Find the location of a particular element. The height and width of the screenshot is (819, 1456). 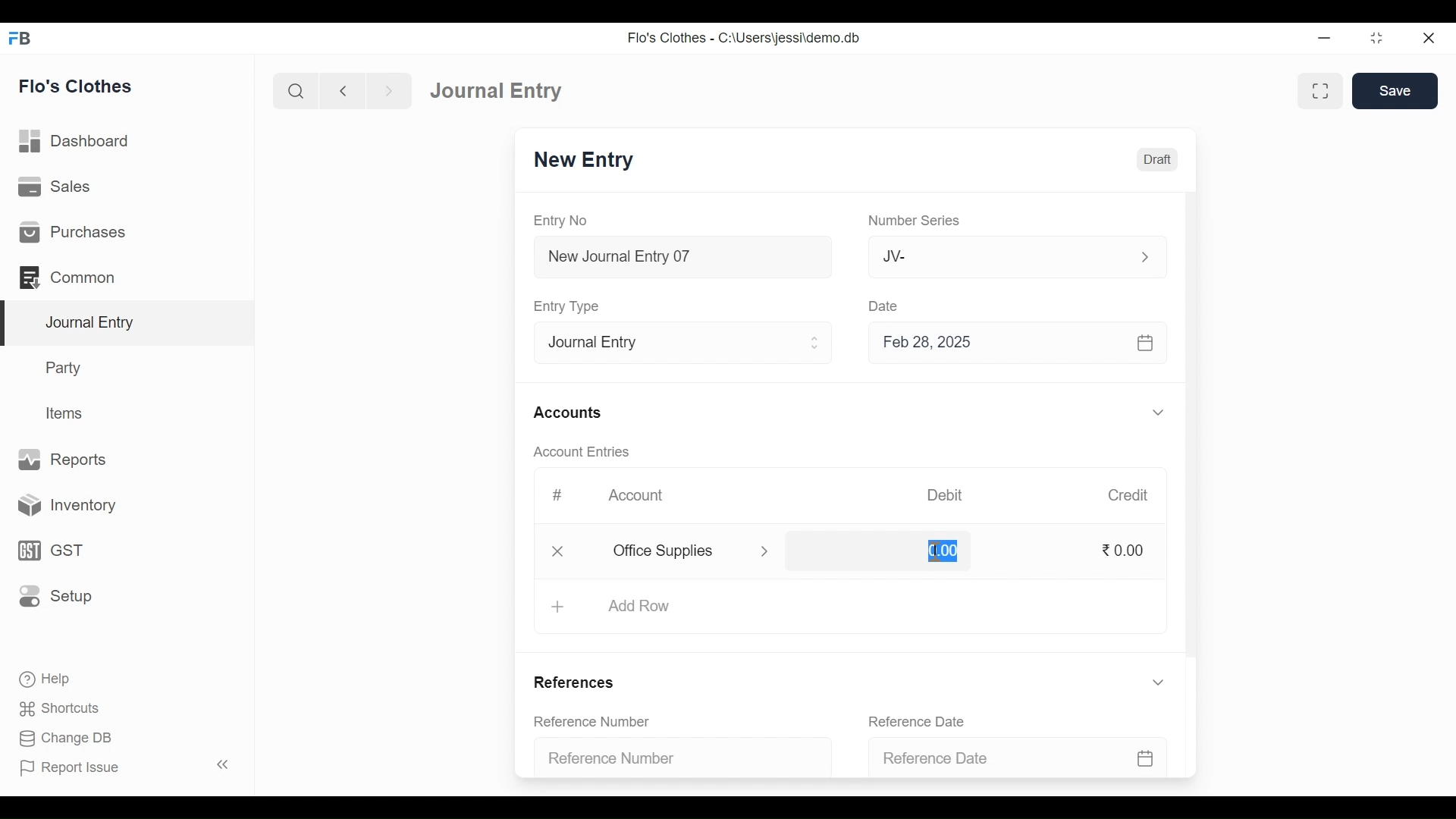

Flo's Clothes is located at coordinates (76, 86).